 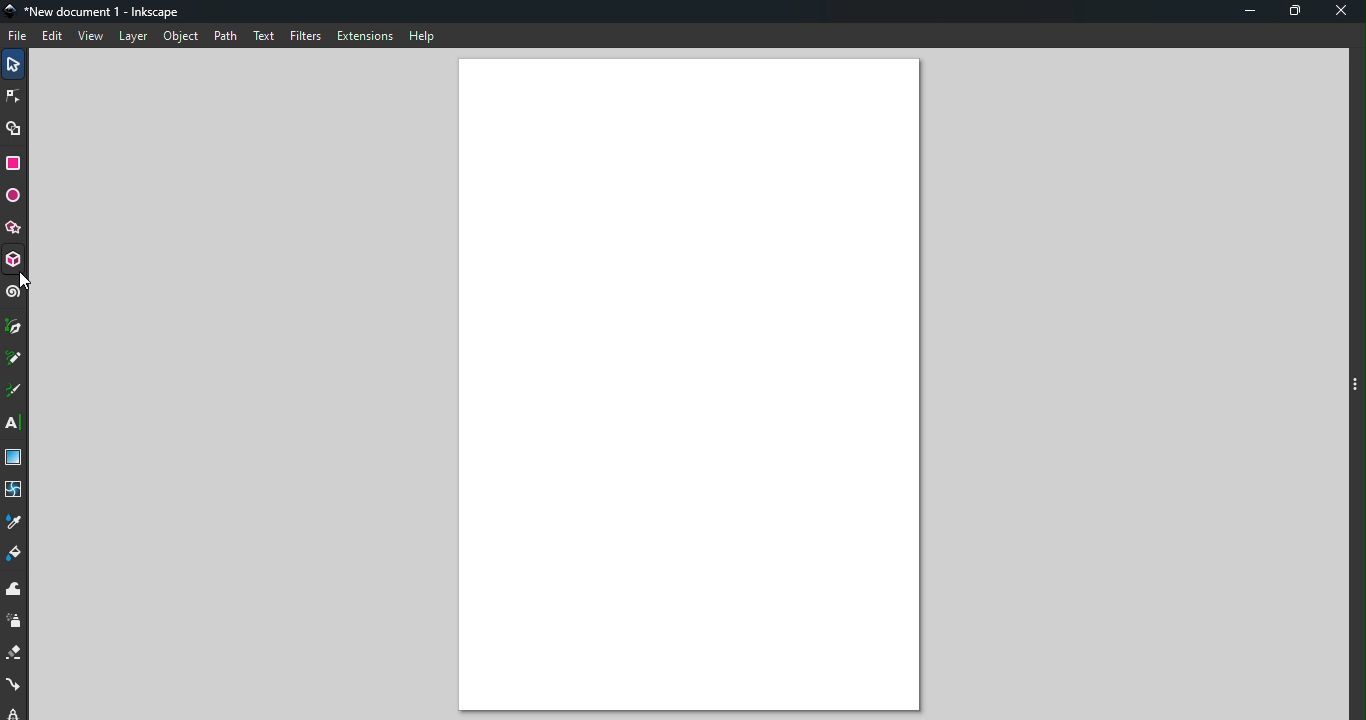 I want to click on View, so click(x=91, y=36).